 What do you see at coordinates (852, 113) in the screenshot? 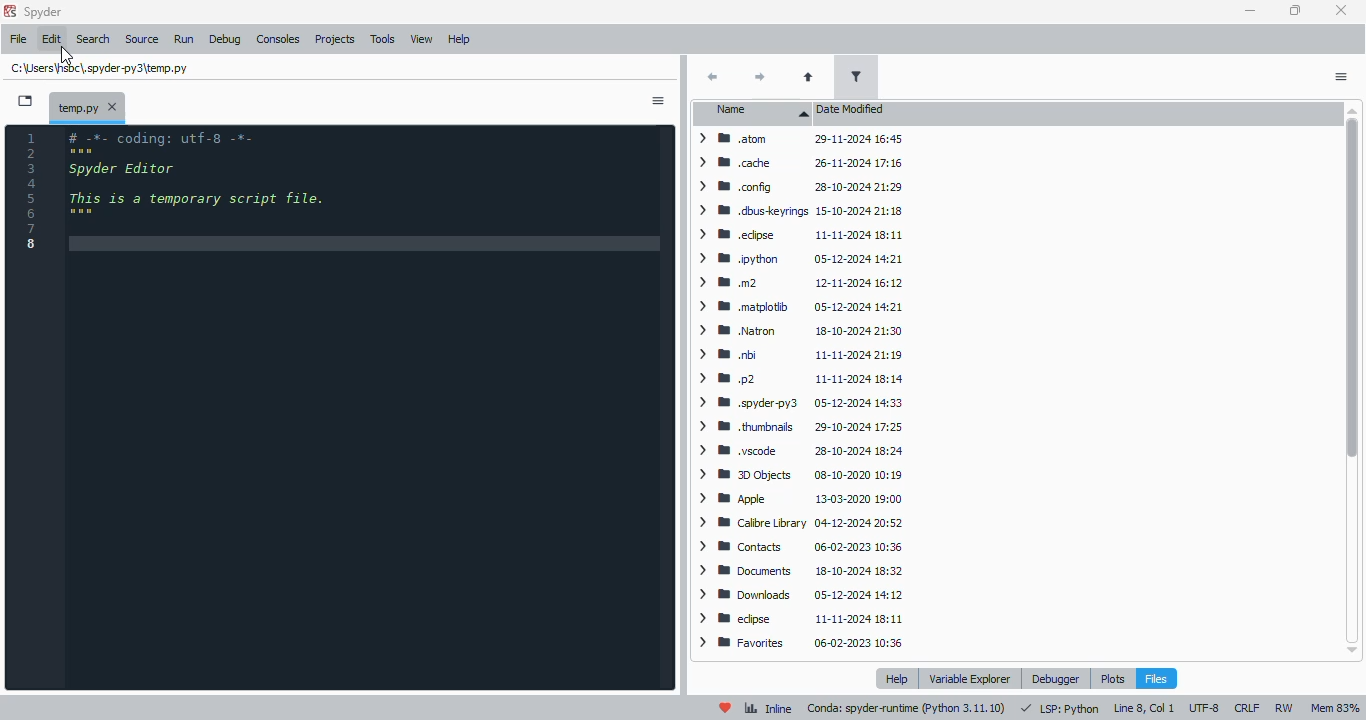
I see `date modified` at bounding box center [852, 113].